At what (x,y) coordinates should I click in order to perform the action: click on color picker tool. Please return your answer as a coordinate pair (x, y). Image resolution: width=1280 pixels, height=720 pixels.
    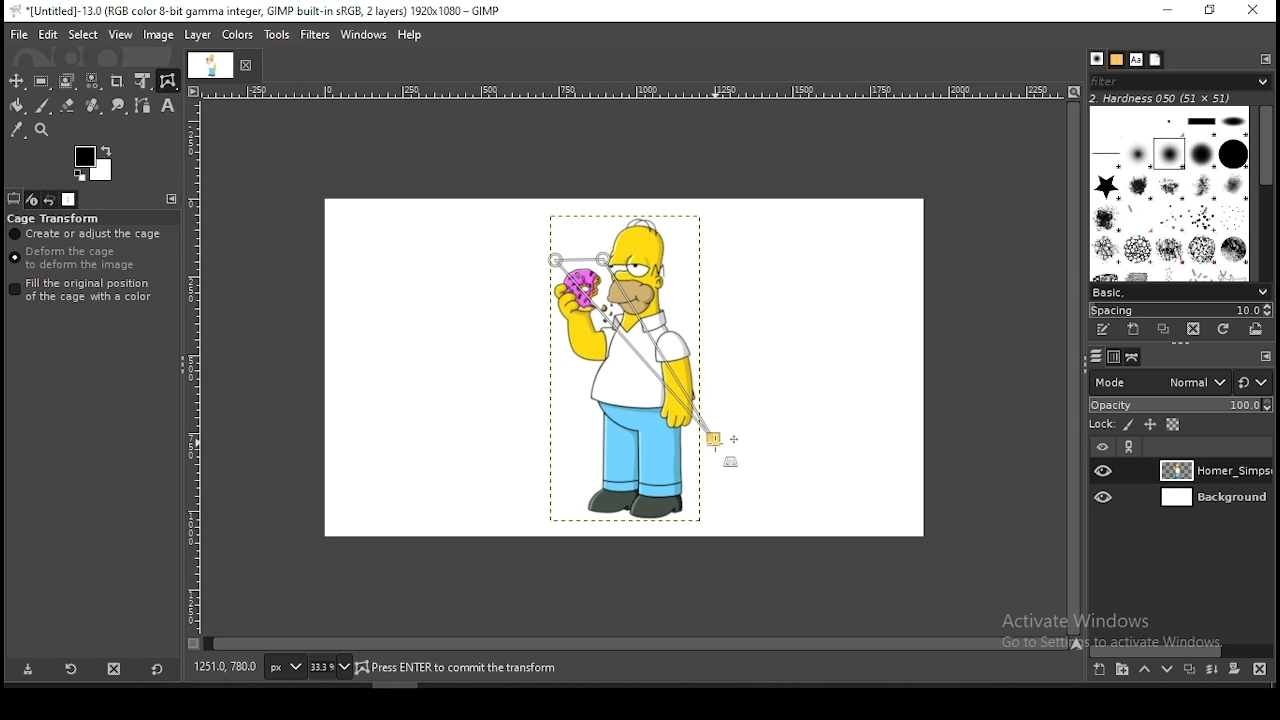
    Looking at the image, I should click on (17, 129).